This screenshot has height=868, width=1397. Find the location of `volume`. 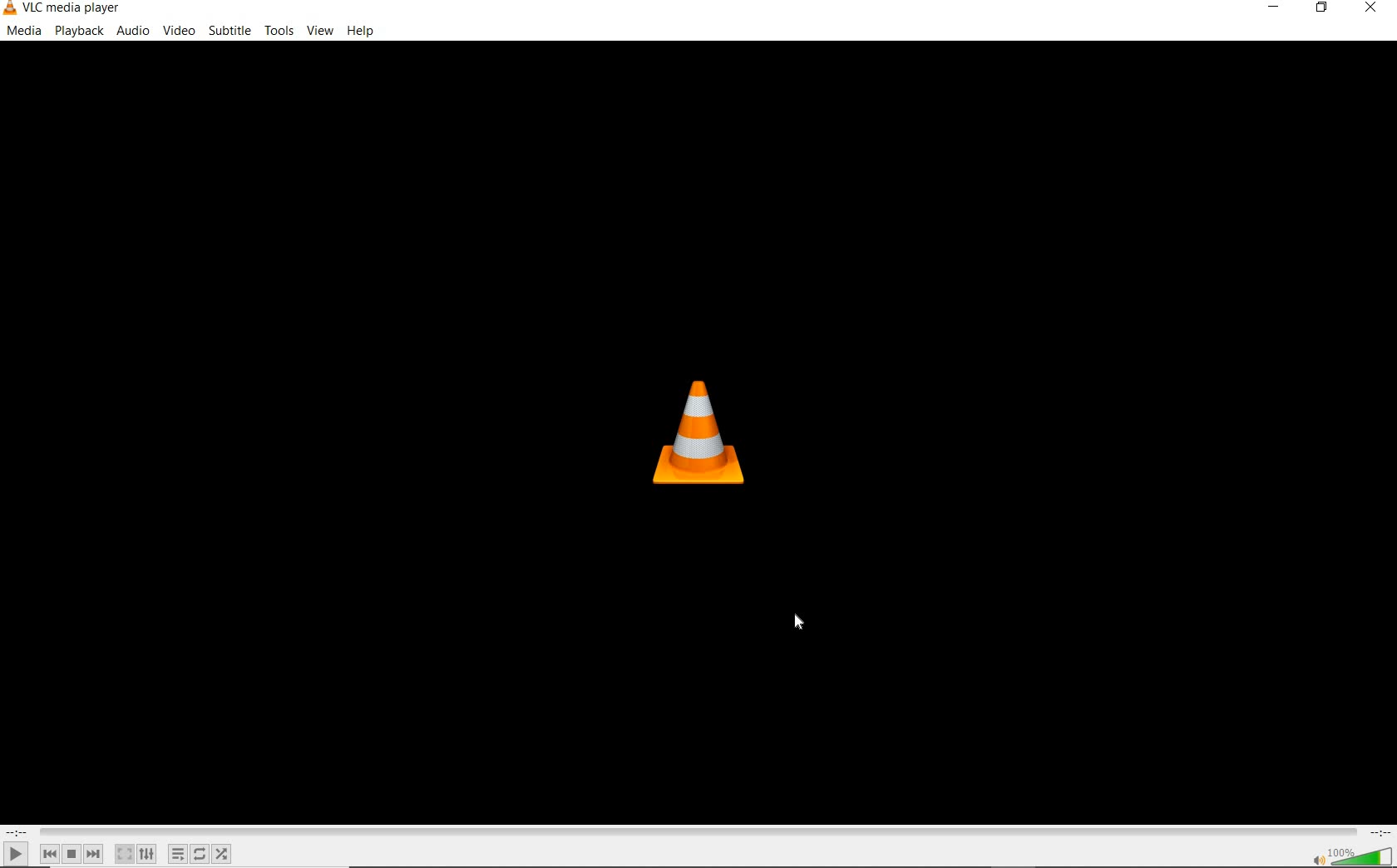

volume is located at coordinates (1362, 855).